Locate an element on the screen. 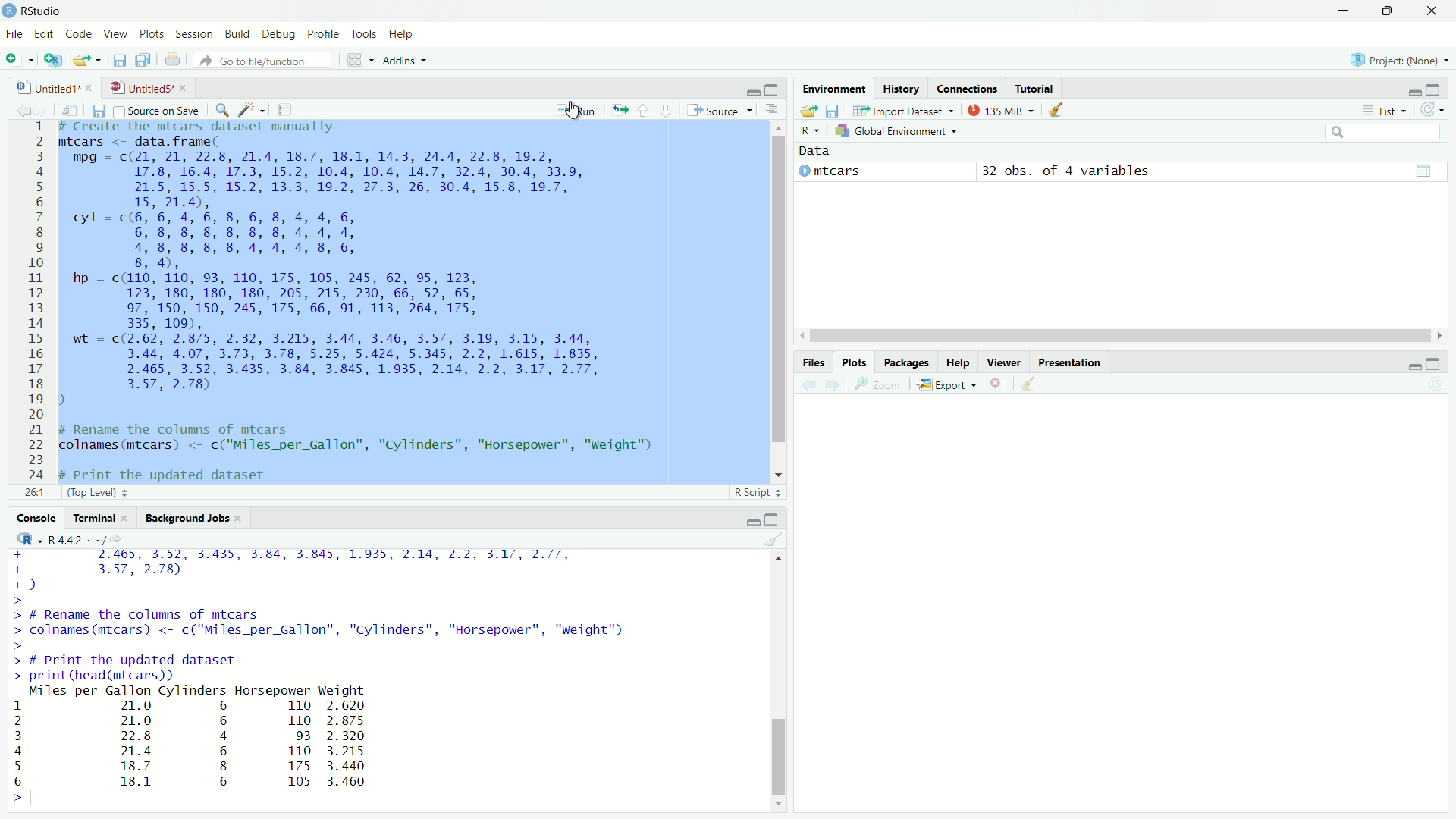 This screenshot has height=819, width=1456. "Import Dataset ~ is located at coordinates (905, 112).